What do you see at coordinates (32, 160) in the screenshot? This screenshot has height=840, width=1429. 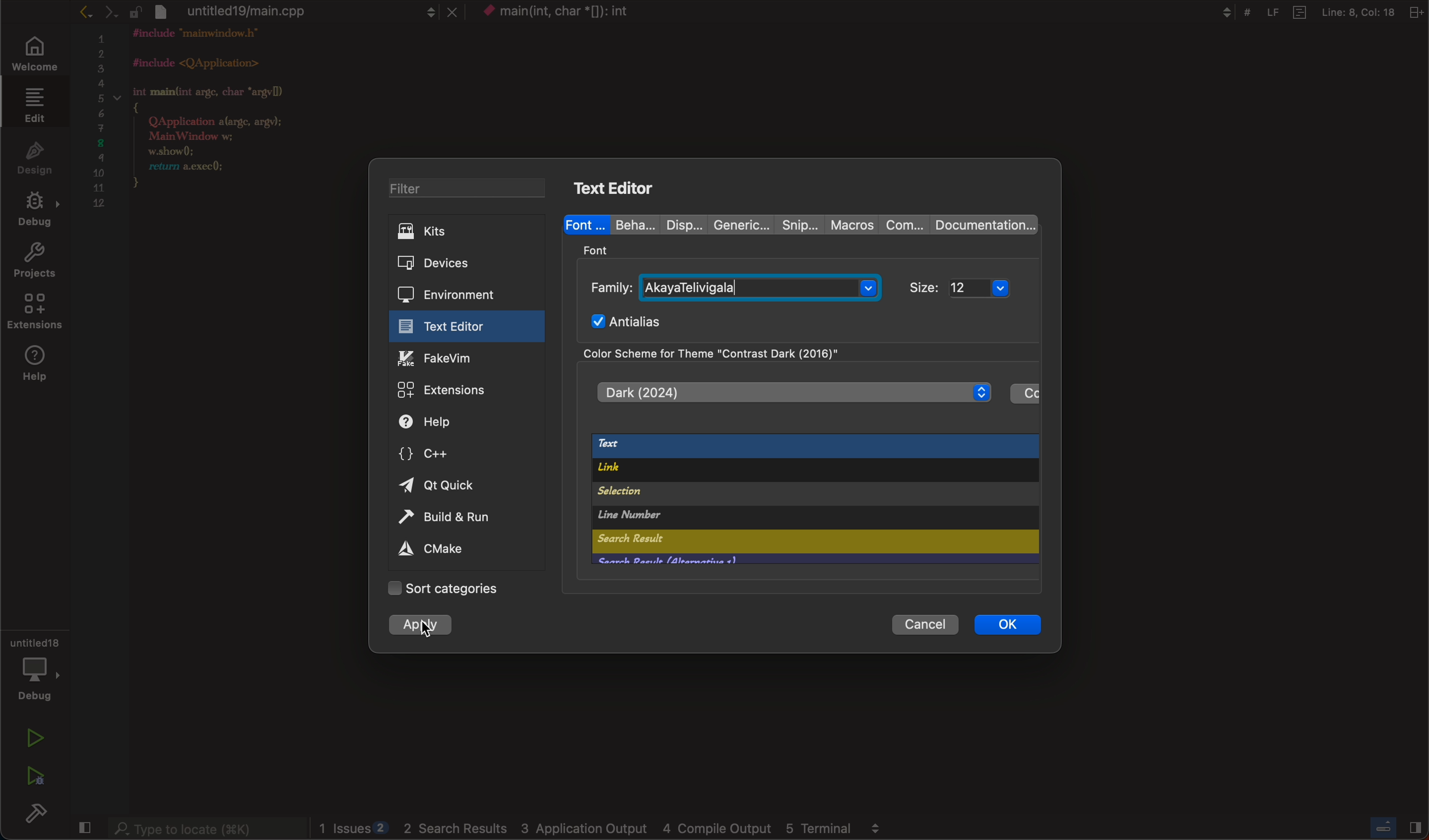 I see `design` at bounding box center [32, 160].